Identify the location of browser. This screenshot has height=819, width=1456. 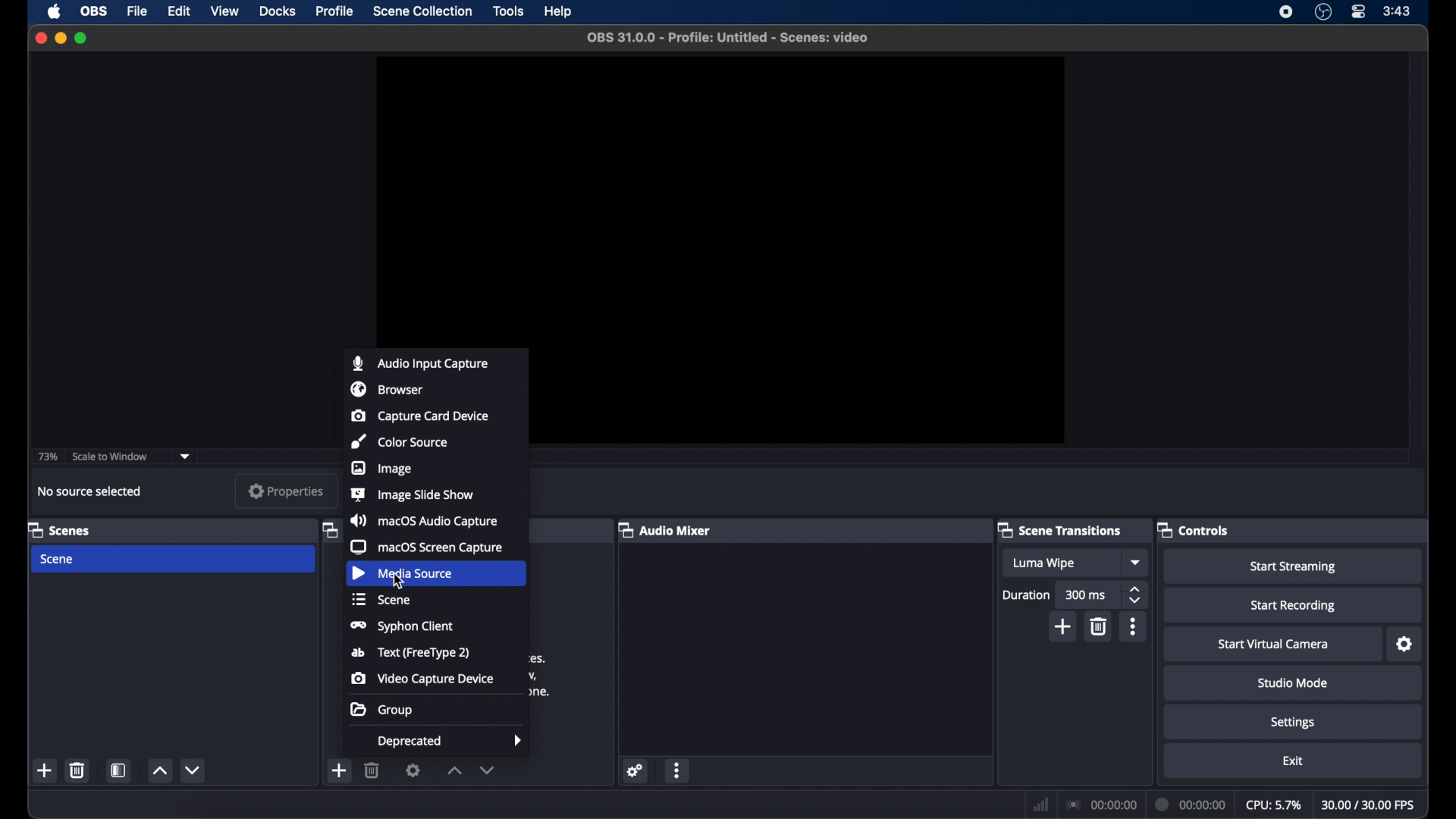
(390, 388).